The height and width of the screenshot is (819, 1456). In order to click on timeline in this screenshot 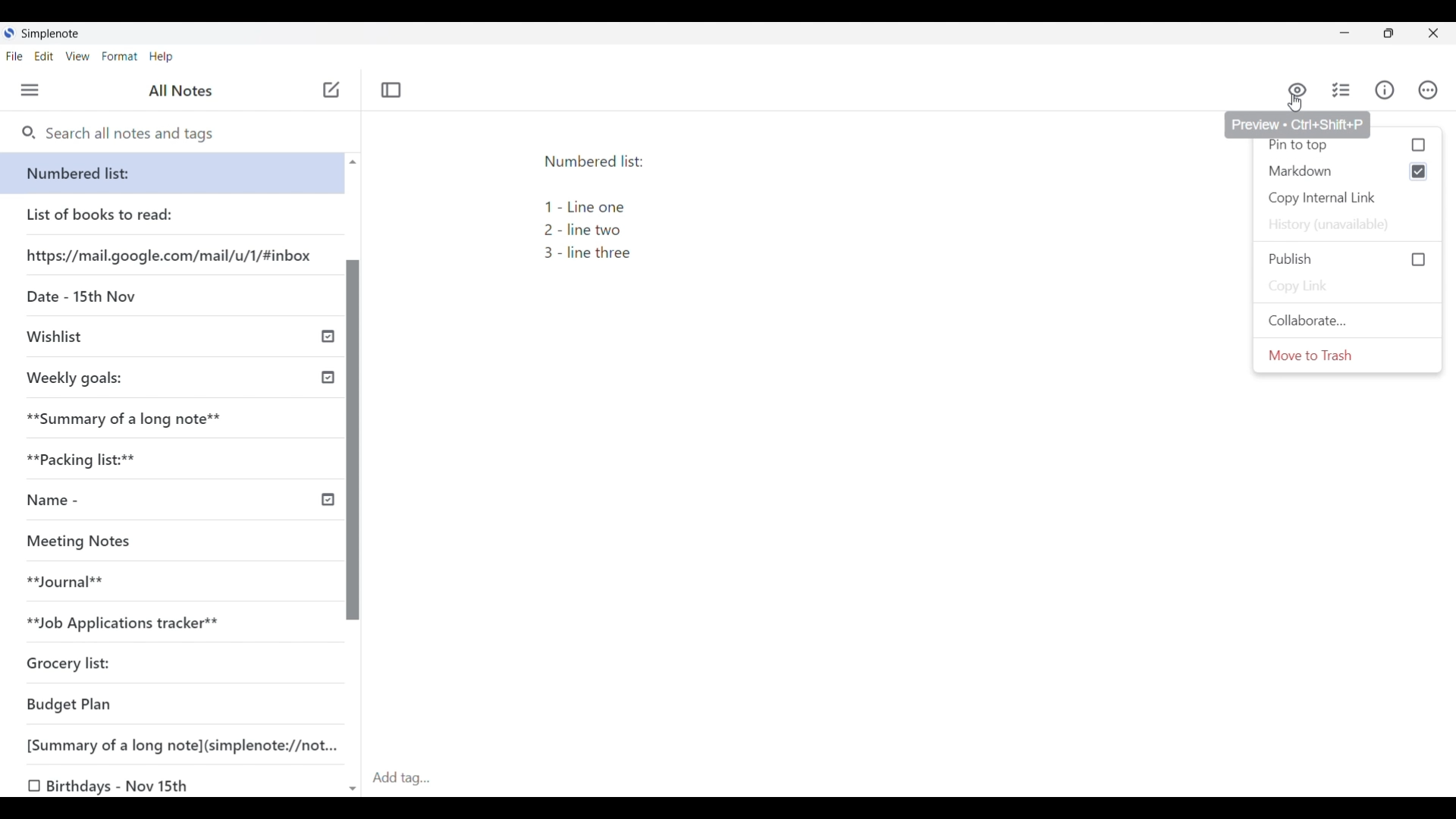, I will do `click(327, 376)`.